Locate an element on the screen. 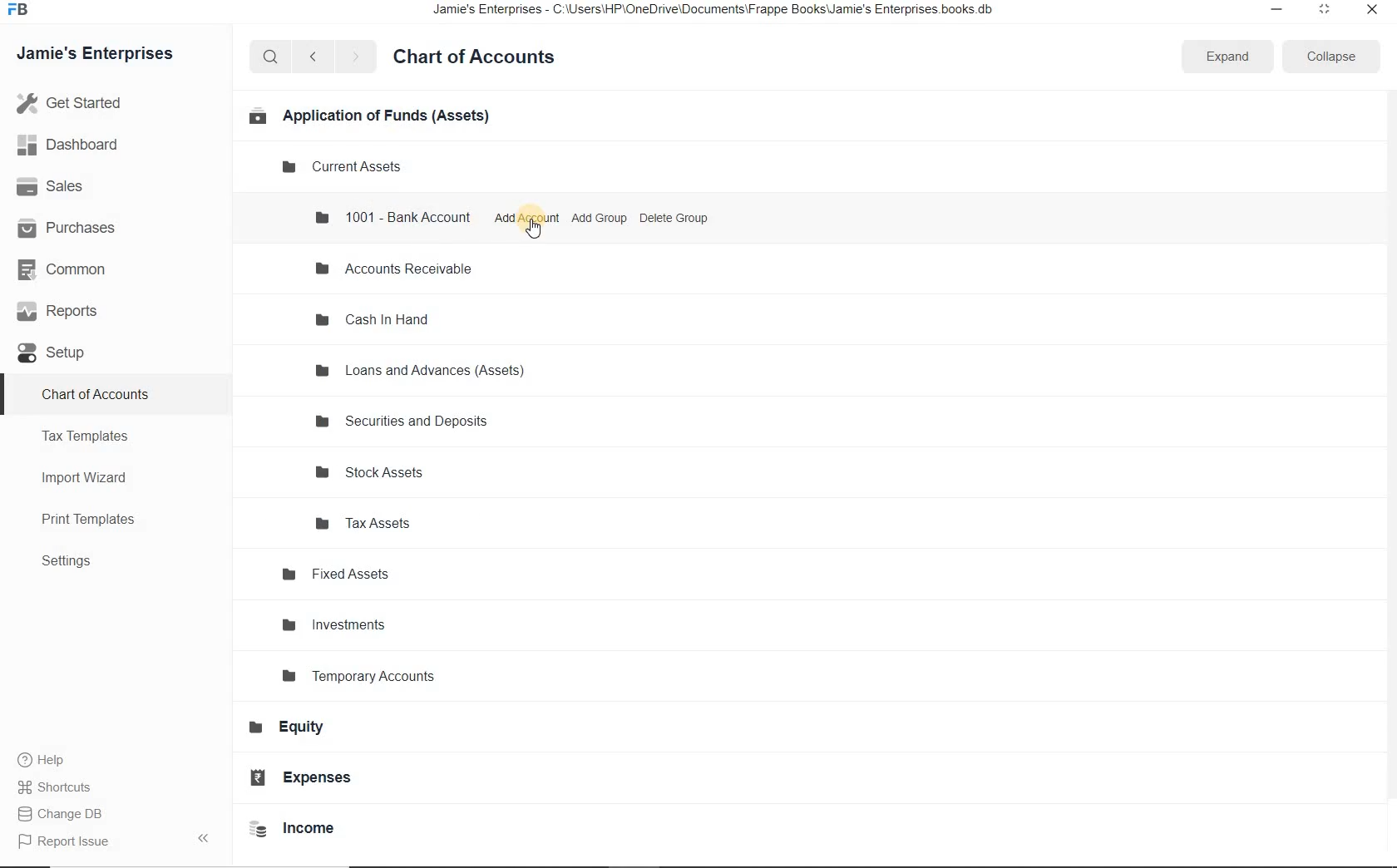 The height and width of the screenshot is (868, 1397). backward is located at coordinates (312, 57).